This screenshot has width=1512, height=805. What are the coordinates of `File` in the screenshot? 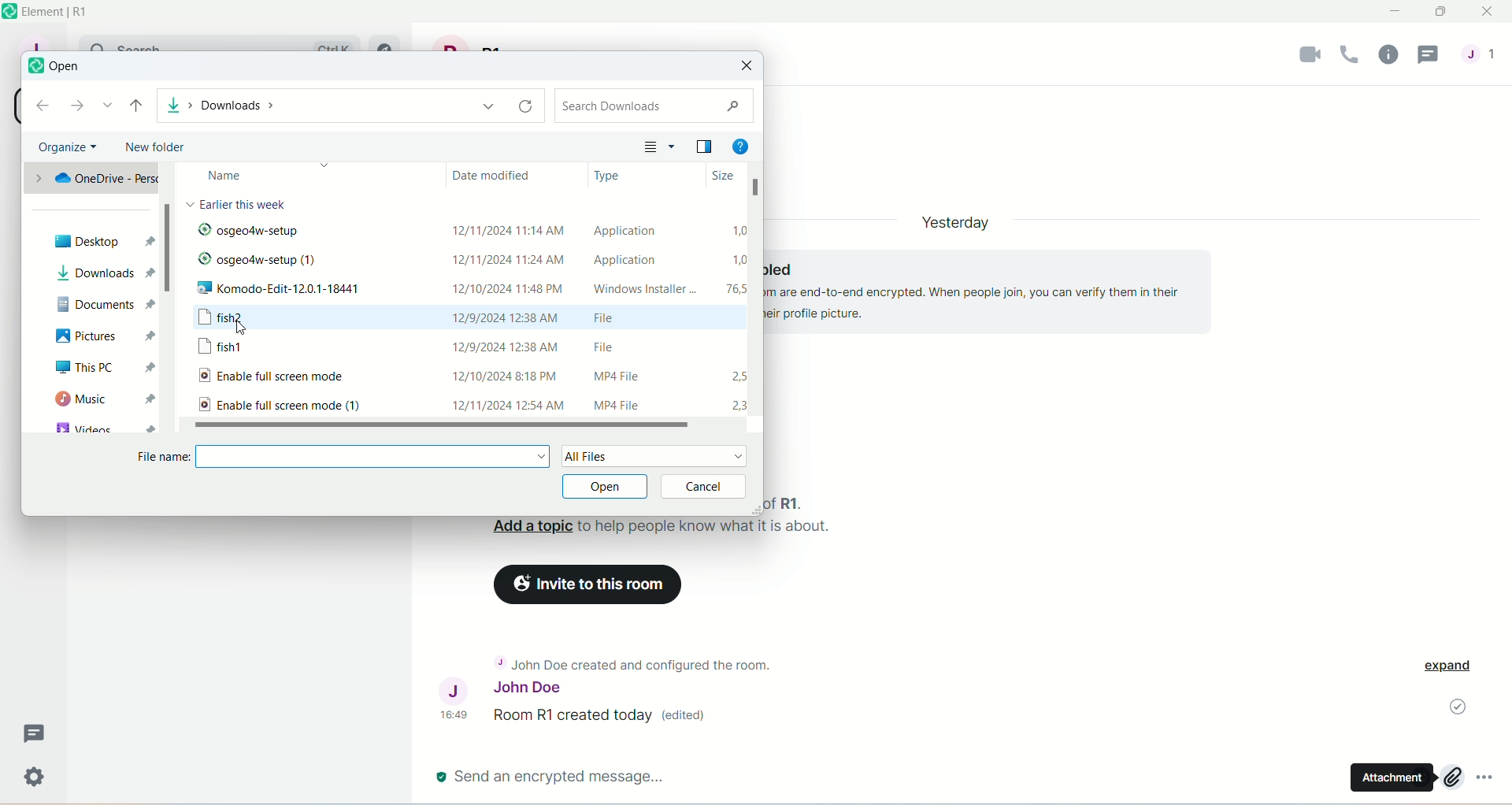 It's located at (613, 344).